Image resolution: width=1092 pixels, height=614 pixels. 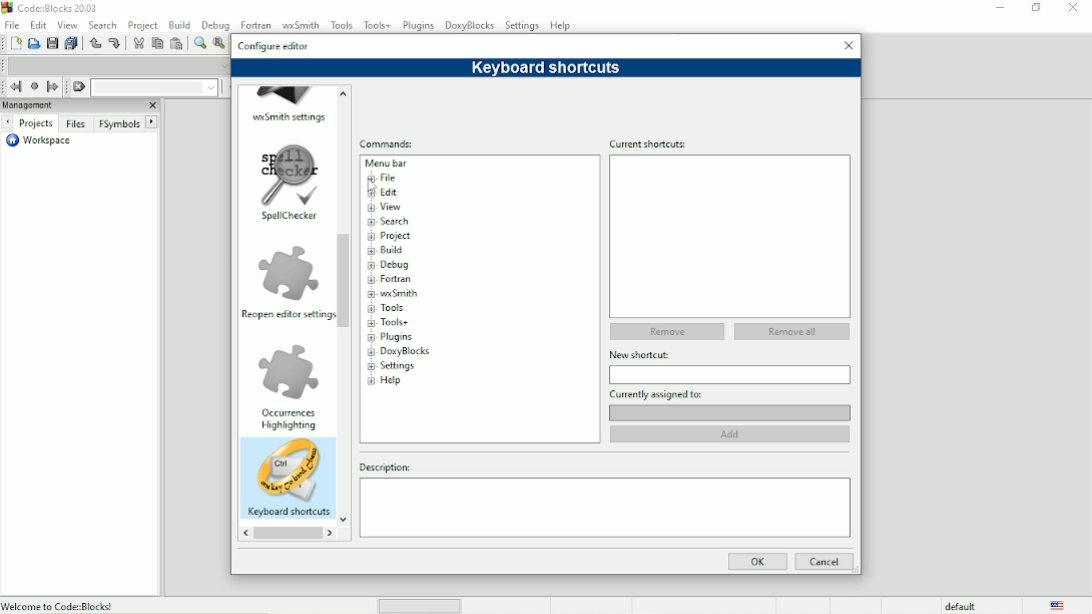 What do you see at coordinates (757, 562) in the screenshot?
I see `OK` at bounding box center [757, 562].